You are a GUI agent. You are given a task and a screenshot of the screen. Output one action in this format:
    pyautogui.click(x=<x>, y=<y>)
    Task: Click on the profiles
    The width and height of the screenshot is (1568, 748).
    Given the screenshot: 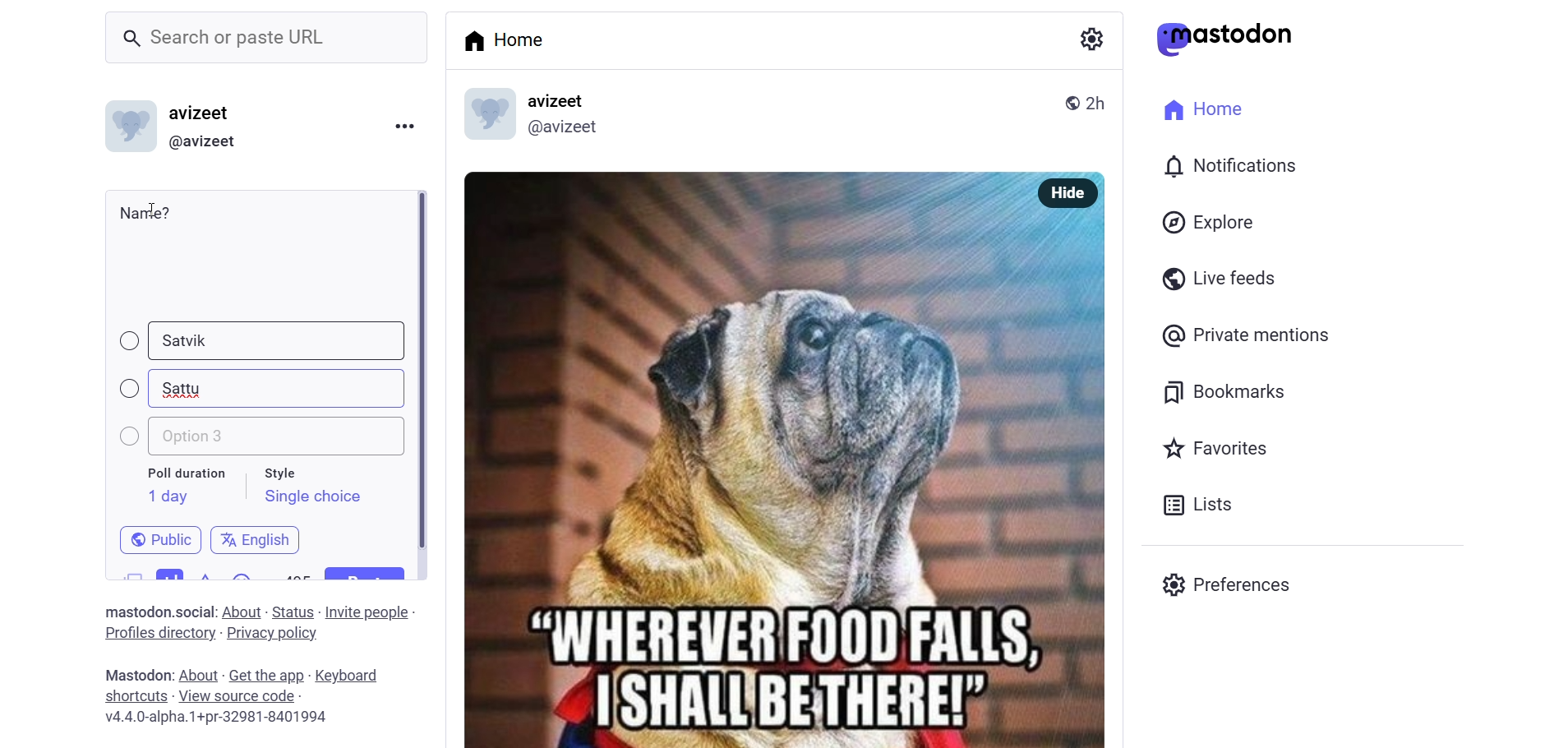 What is the action you would take?
    pyautogui.click(x=159, y=632)
    